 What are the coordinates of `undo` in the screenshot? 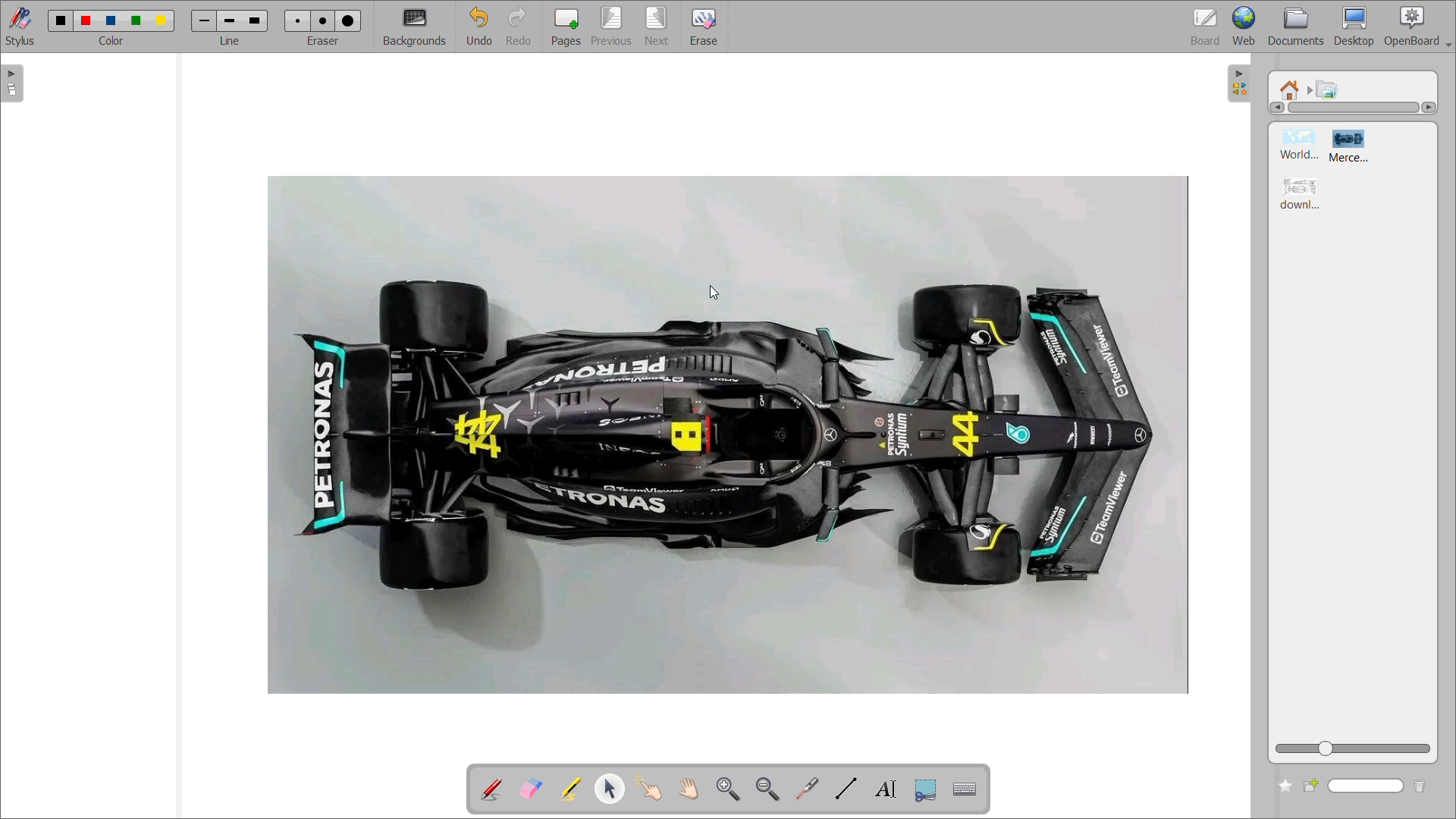 It's located at (481, 26).